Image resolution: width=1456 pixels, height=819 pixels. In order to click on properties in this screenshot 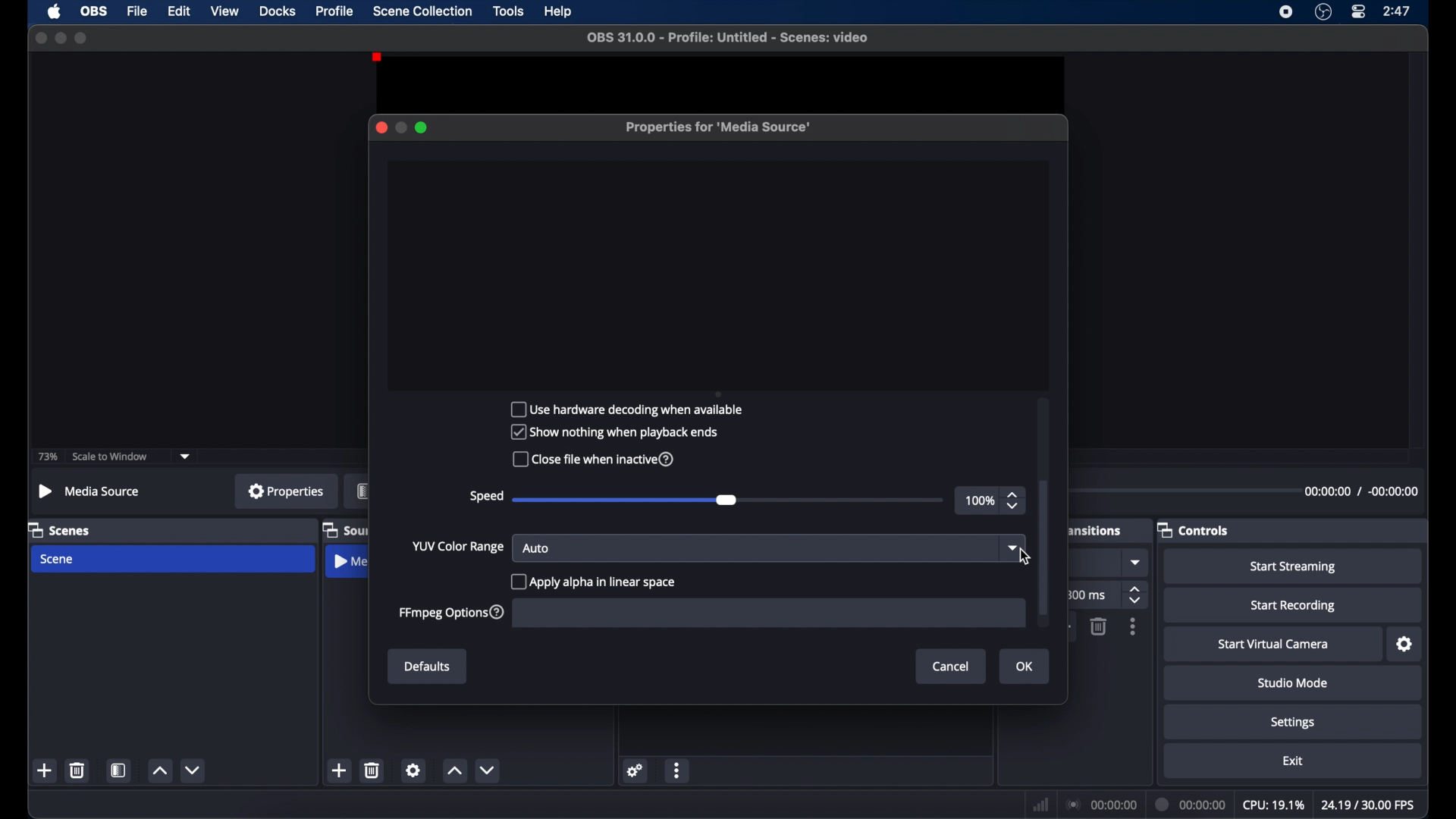, I will do `click(287, 491)`.